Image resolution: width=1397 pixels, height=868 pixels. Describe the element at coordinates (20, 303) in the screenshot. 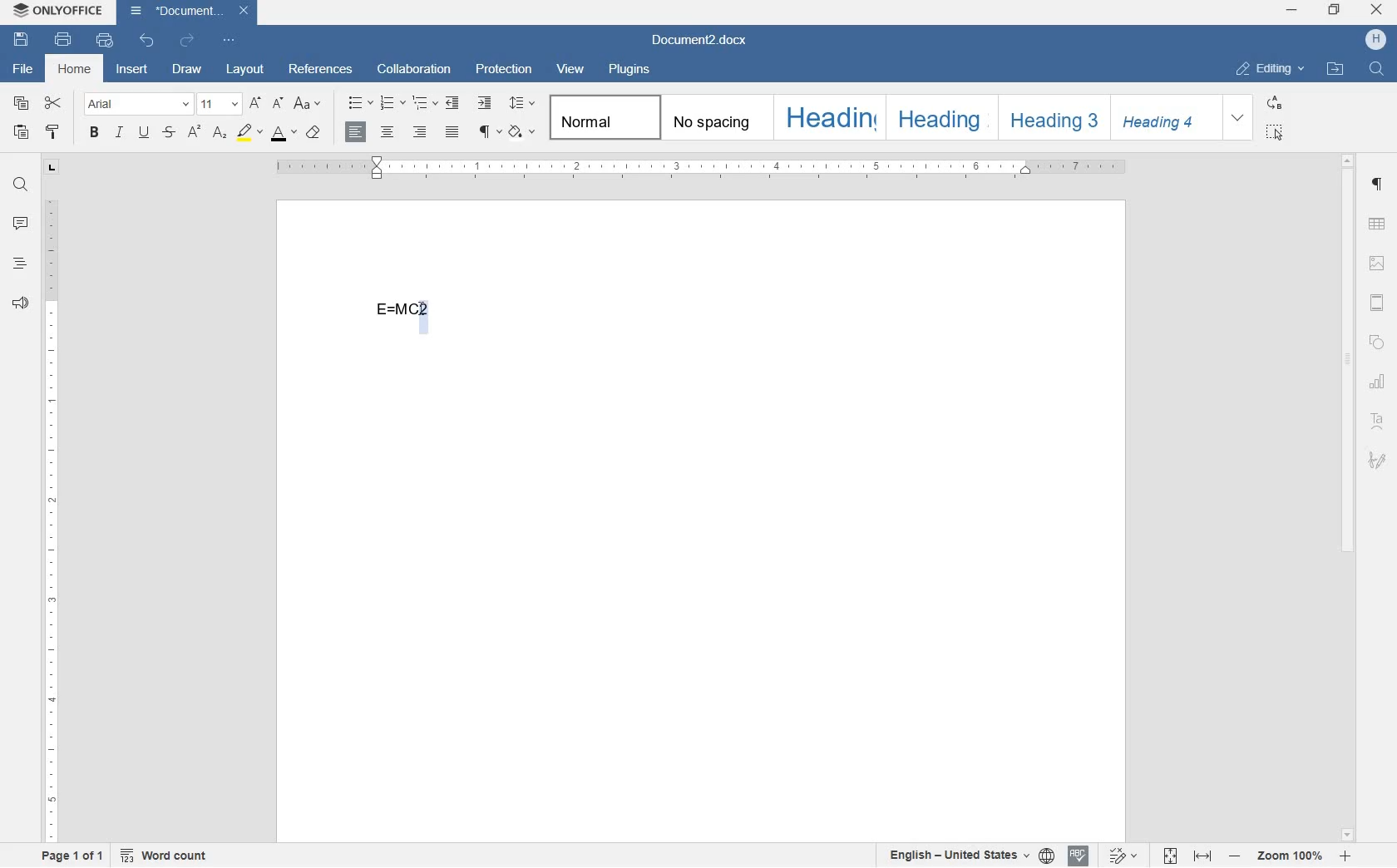

I see `feedback & support` at that location.